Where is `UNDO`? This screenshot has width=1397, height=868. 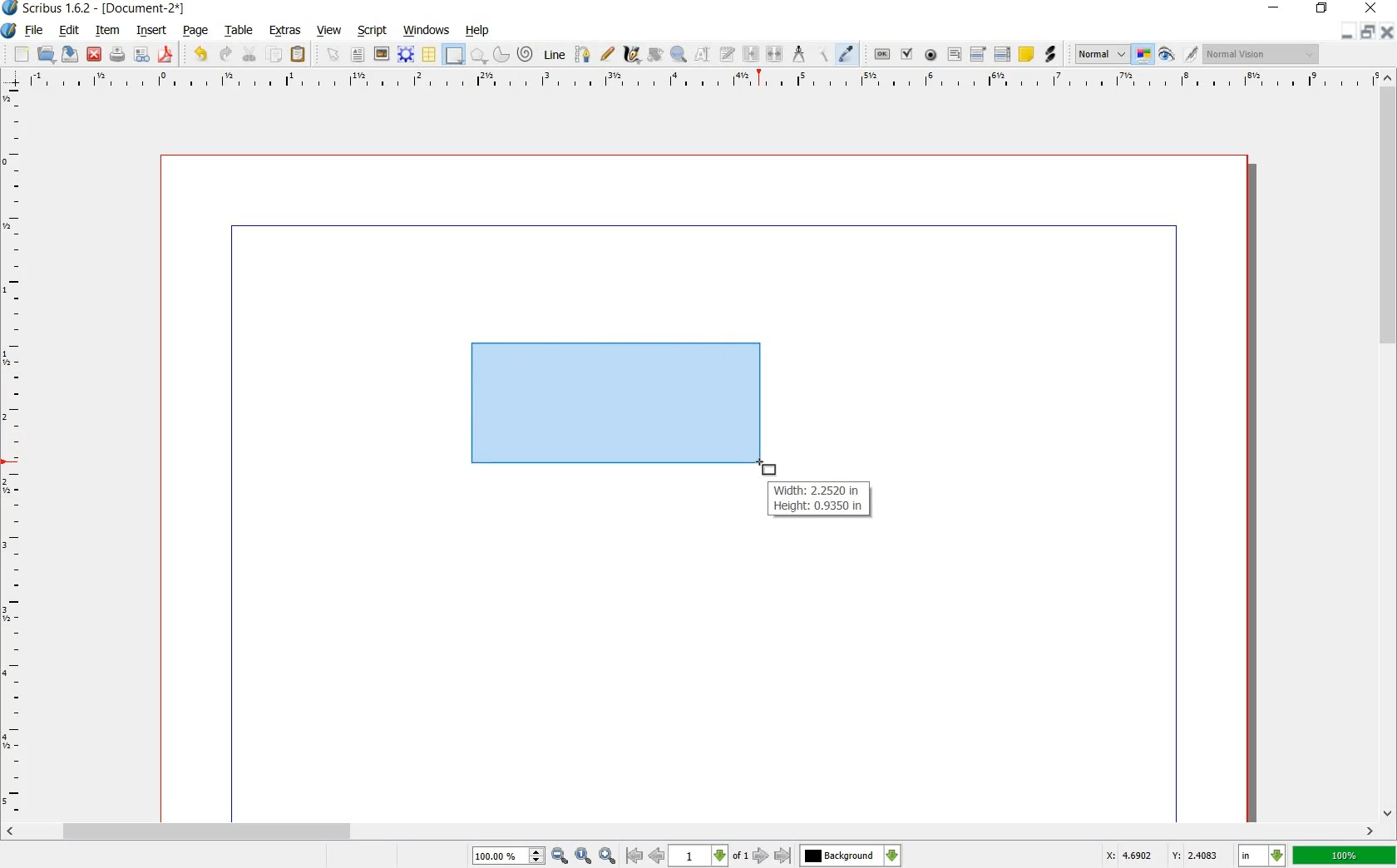 UNDO is located at coordinates (198, 55).